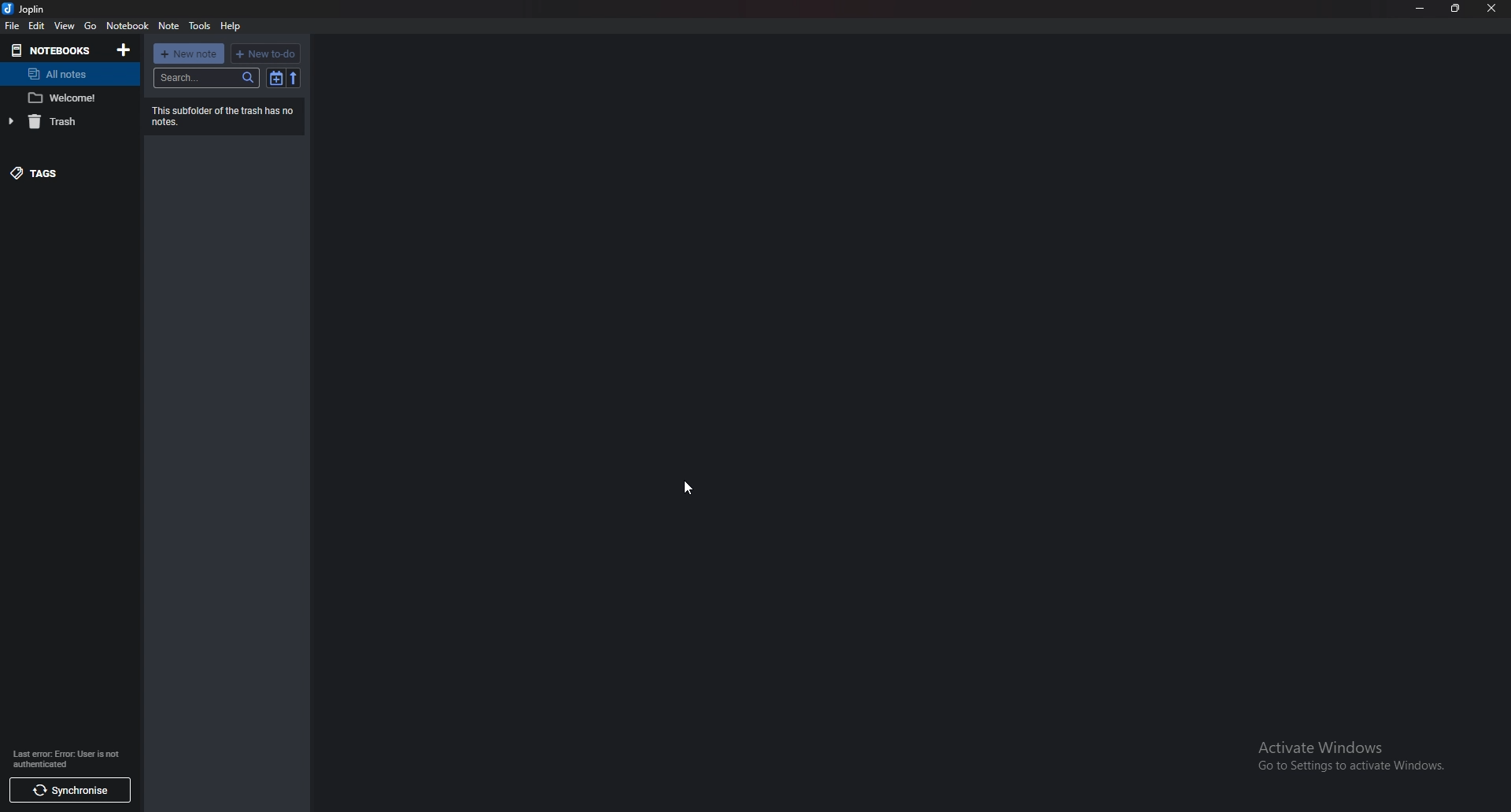 Image resolution: width=1511 pixels, height=812 pixels. Describe the element at coordinates (276, 79) in the screenshot. I see `toggle sort` at that location.